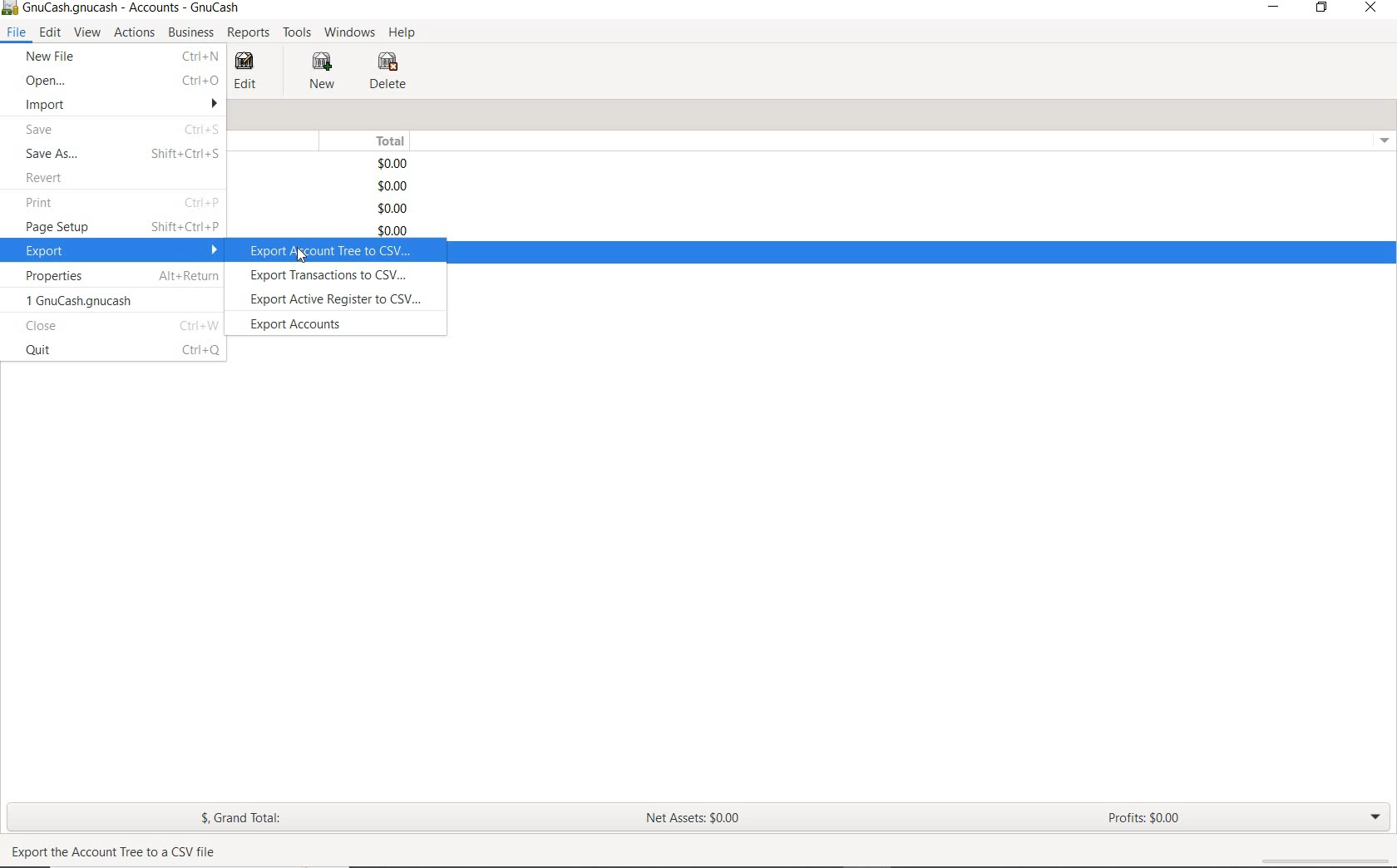 This screenshot has width=1397, height=868. I want to click on TOOLS, so click(298, 33).